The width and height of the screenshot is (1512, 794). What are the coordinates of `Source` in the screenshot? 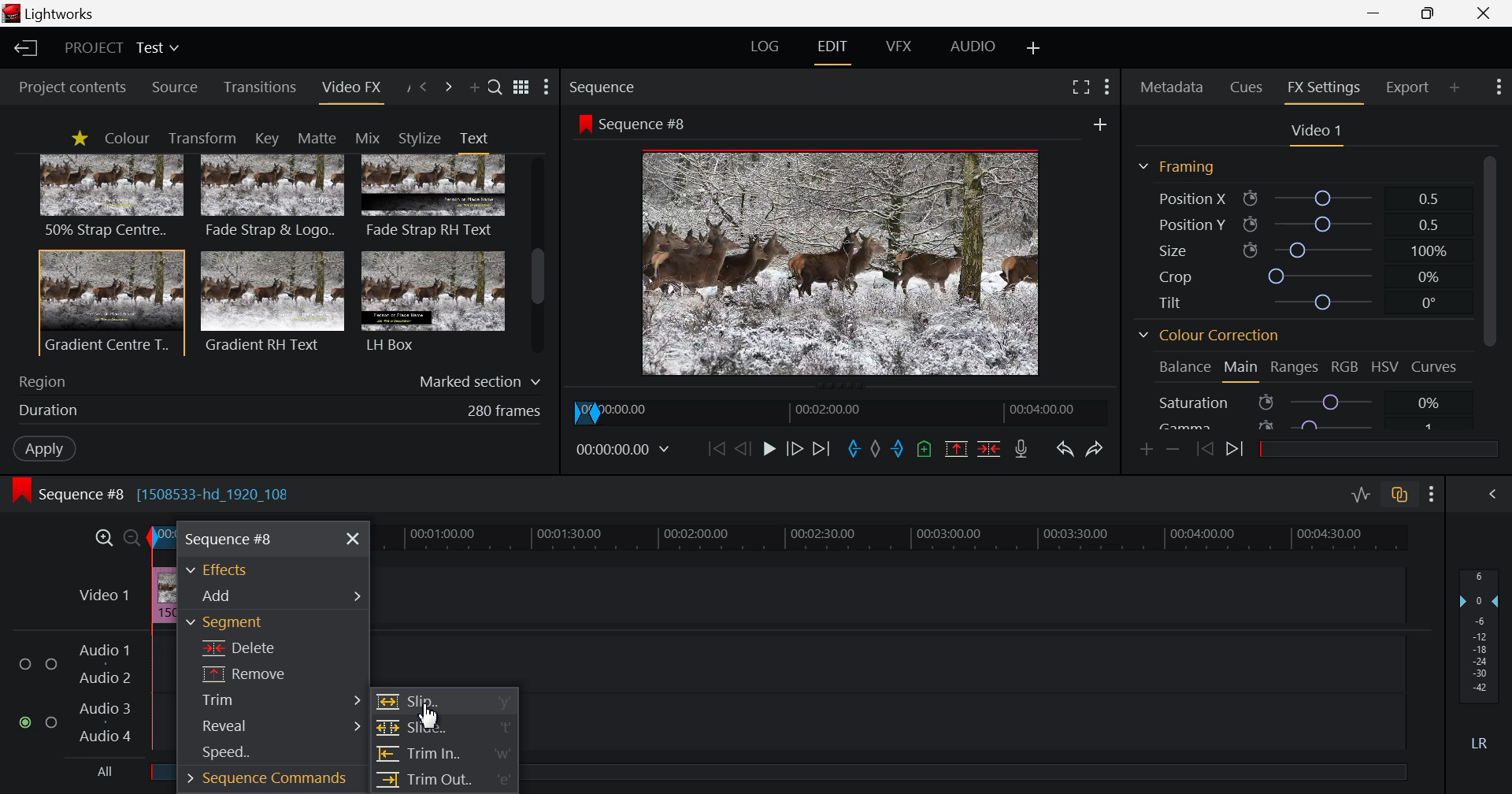 It's located at (175, 88).